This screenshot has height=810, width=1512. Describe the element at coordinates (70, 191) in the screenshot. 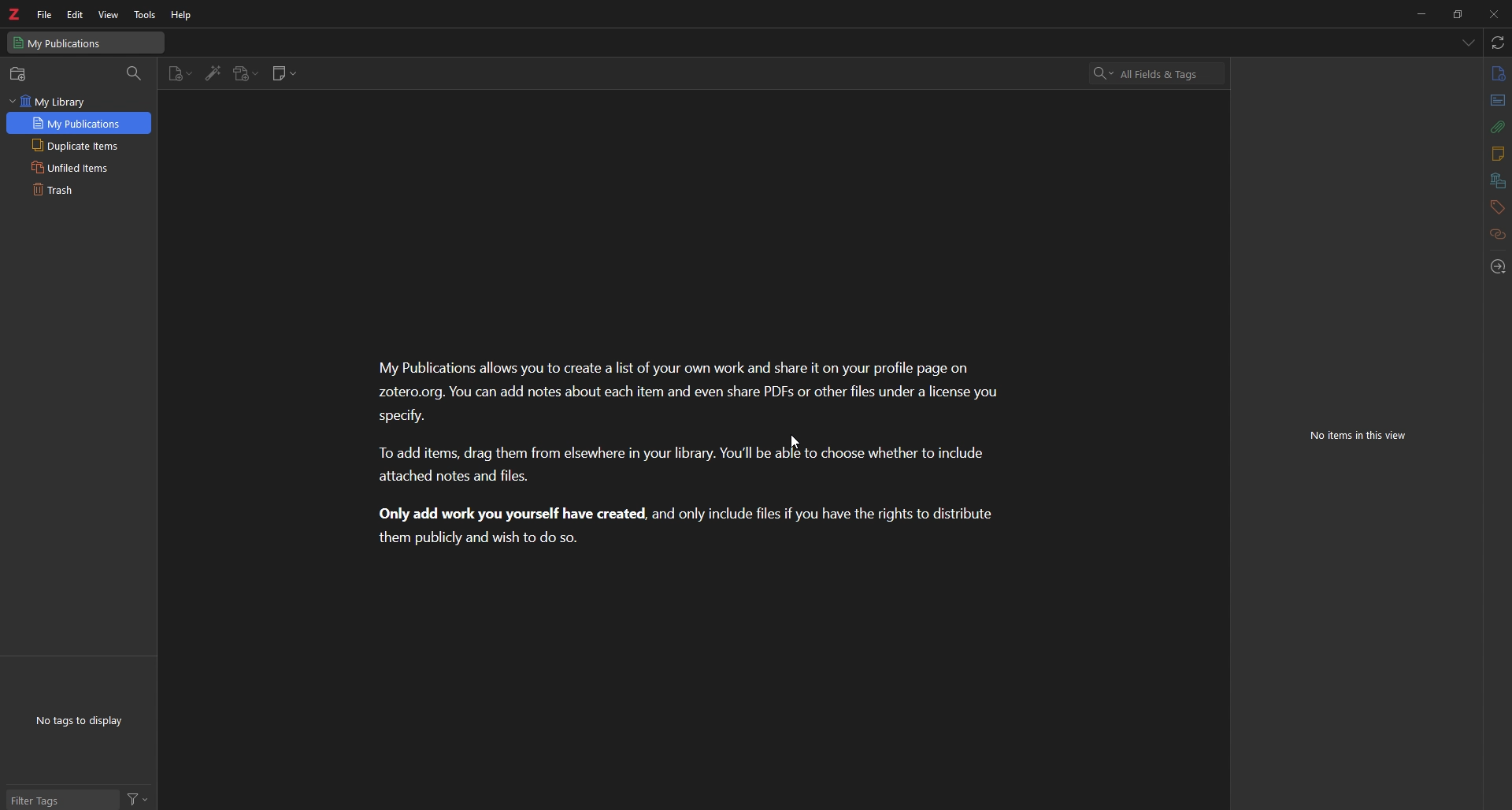

I see `Unfiled items` at that location.